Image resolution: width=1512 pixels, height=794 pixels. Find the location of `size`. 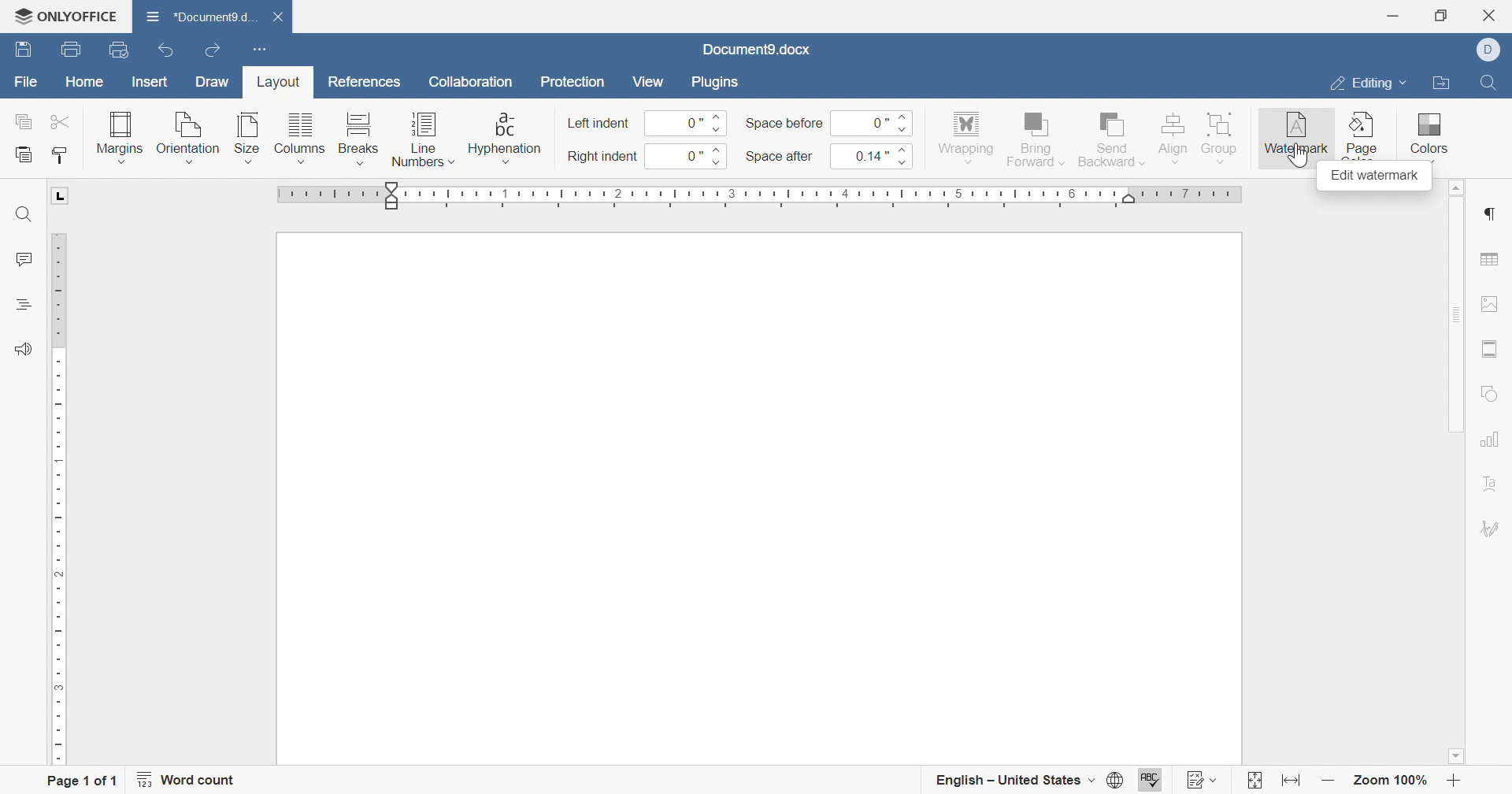

size is located at coordinates (246, 138).